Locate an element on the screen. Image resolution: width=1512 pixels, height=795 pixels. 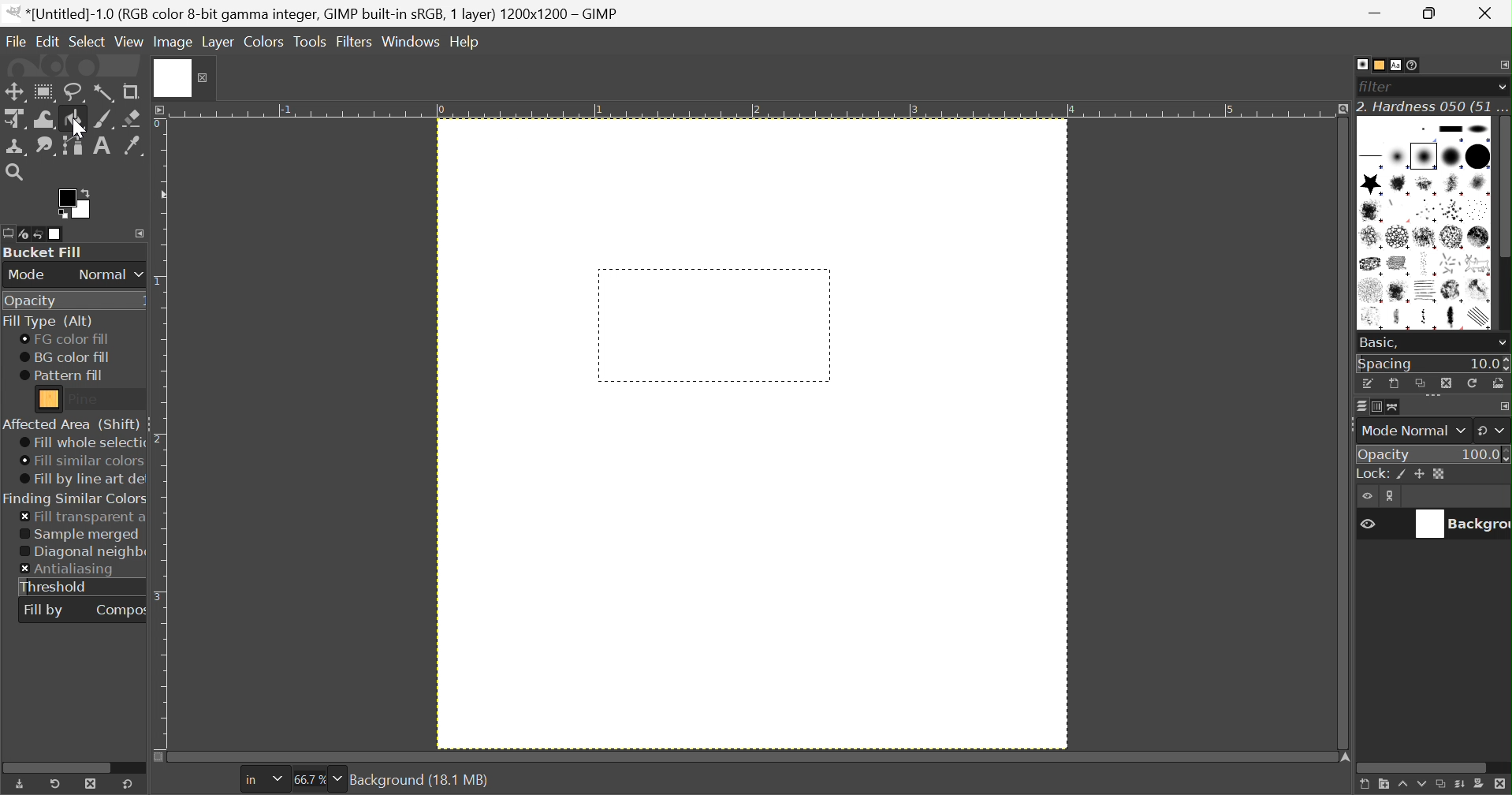
Bristles 02 is located at coordinates (1453, 211).